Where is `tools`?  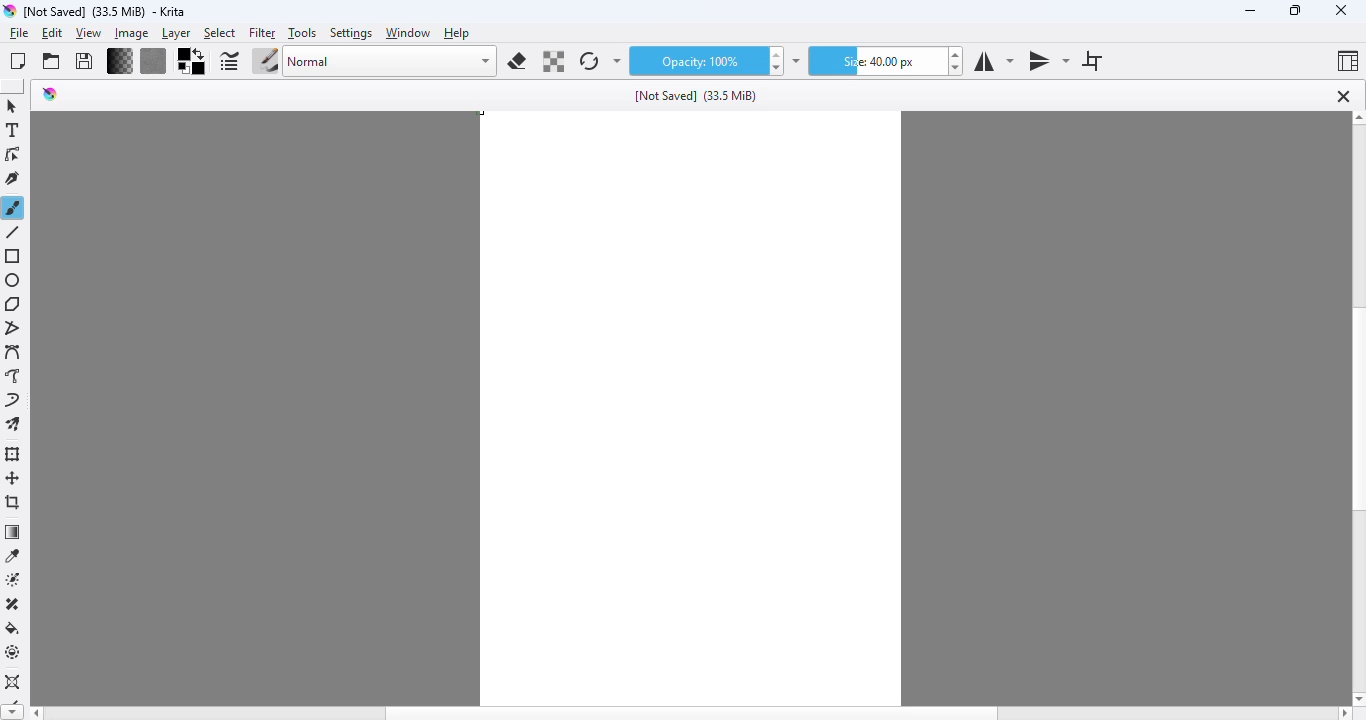
tools is located at coordinates (303, 34).